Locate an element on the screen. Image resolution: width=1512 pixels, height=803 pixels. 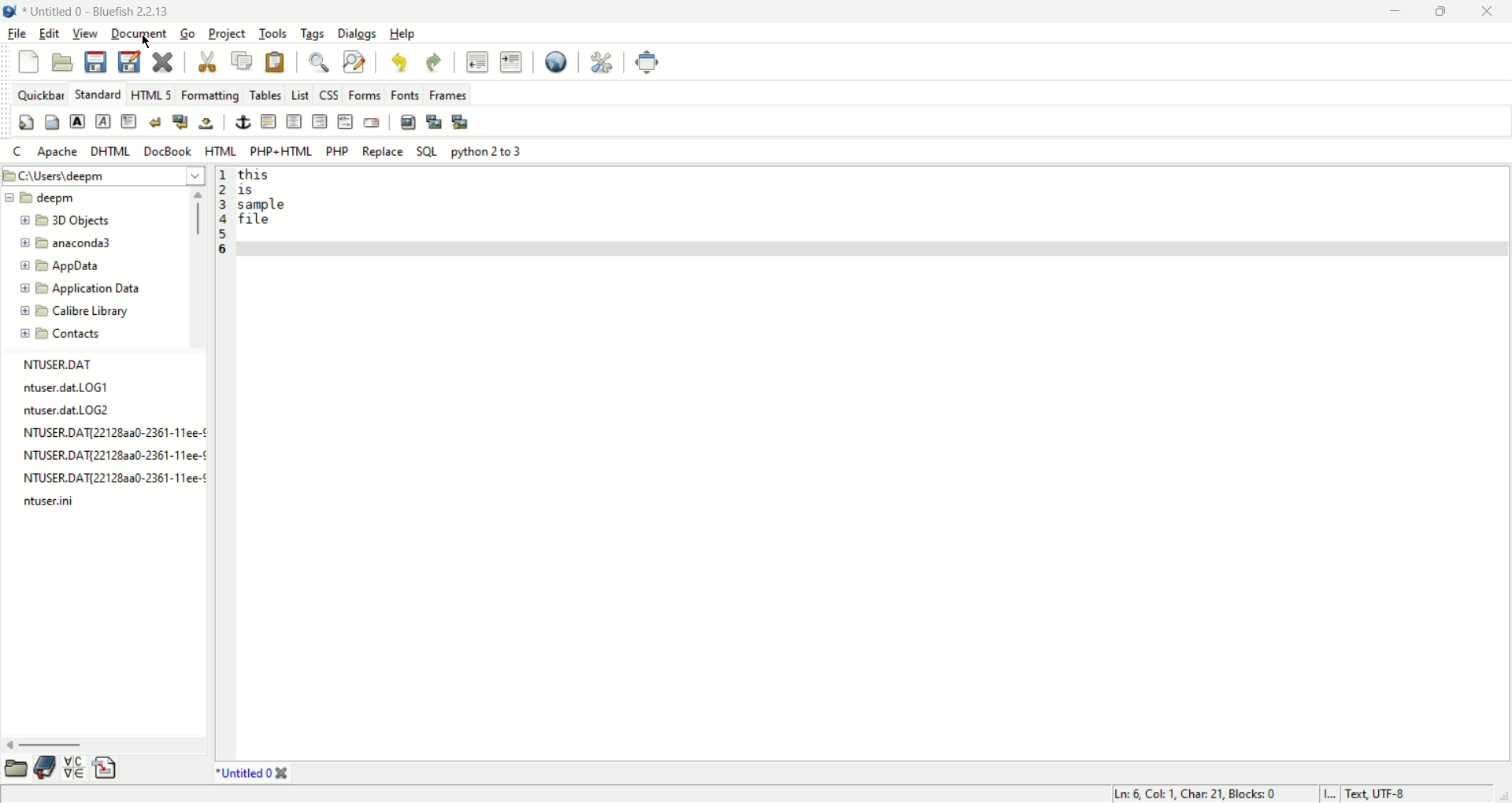
ntuser.dat.LOG1 is located at coordinates (67, 386).